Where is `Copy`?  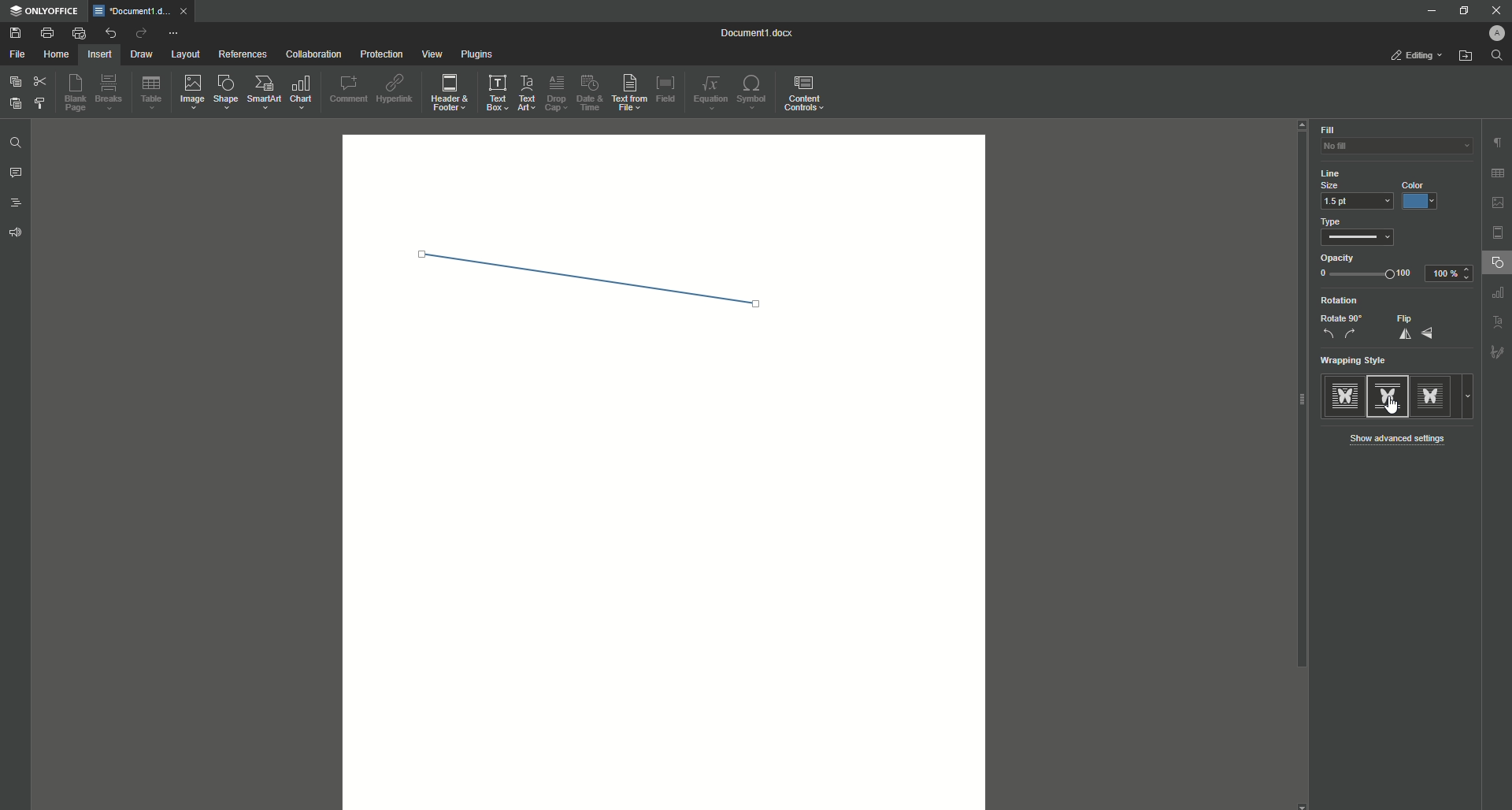 Copy is located at coordinates (13, 82).